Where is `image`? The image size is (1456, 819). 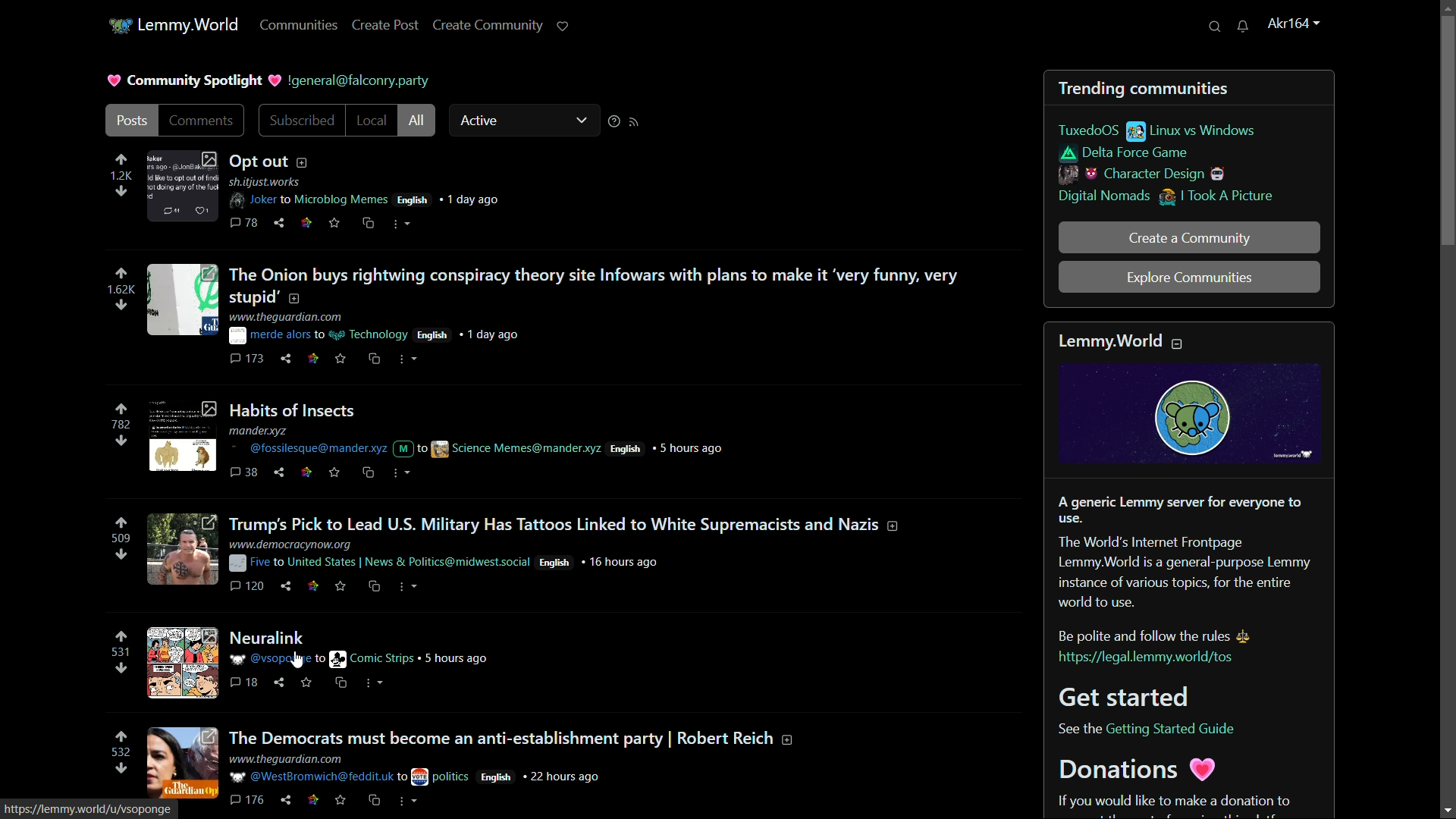 image is located at coordinates (184, 301).